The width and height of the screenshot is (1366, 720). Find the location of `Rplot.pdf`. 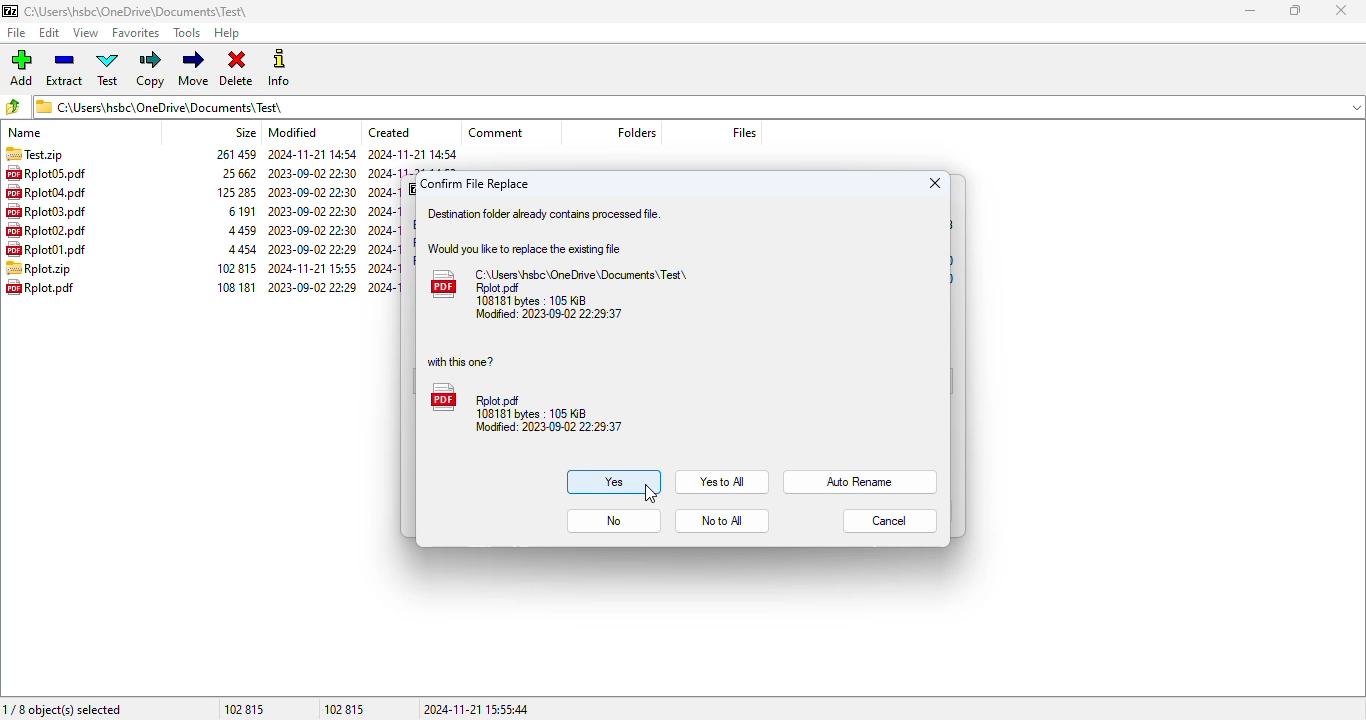

Rplot.pdf is located at coordinates (47, 289).